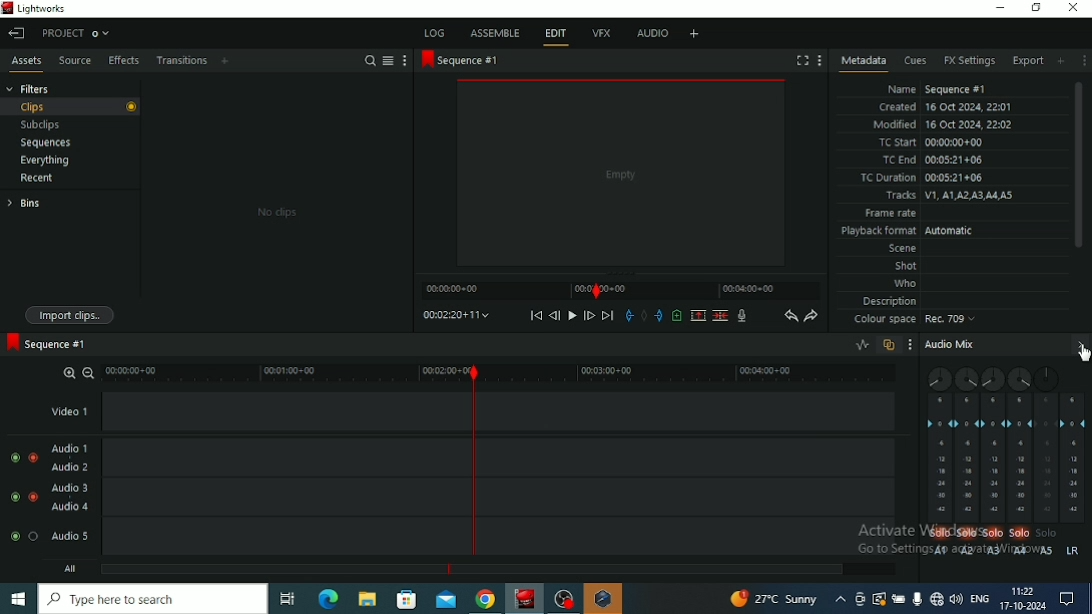 The height and width of the screenshot is (614, 1092). I want to click on Mic, so click(917, 599).